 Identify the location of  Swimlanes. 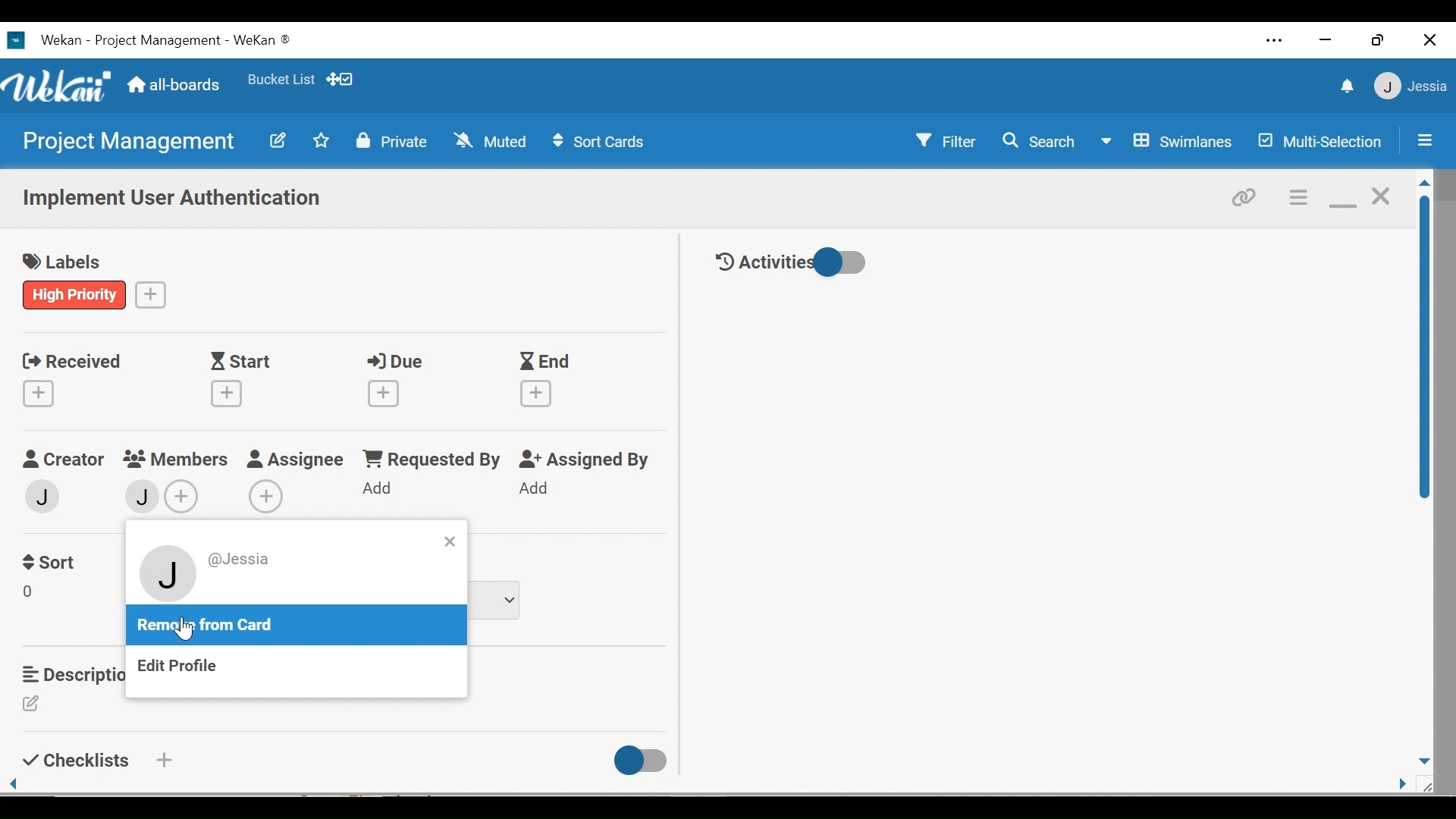
(1170, 143).